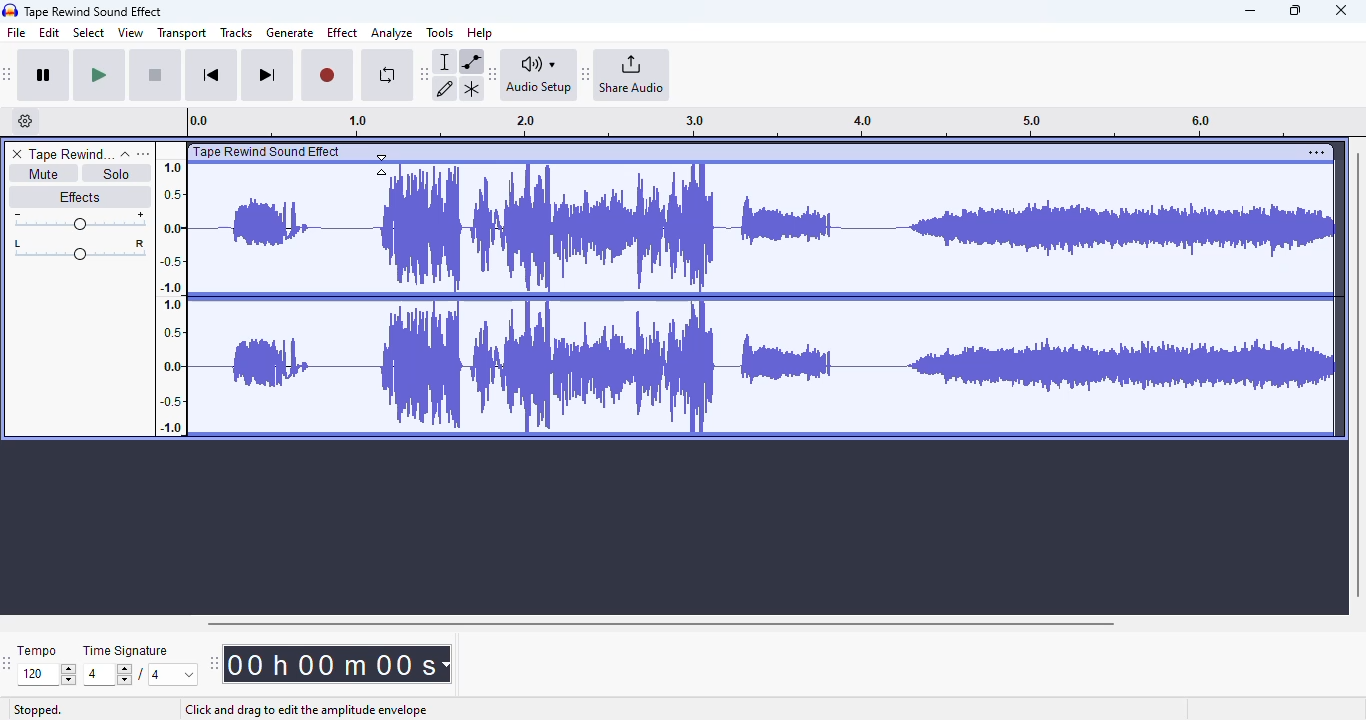 This screenshot has width=1366, height=720. What do you see at coordinates (213, 663) in the screenshot?
I see `Move audacity time toolbar` at bounding box center [213, 663].